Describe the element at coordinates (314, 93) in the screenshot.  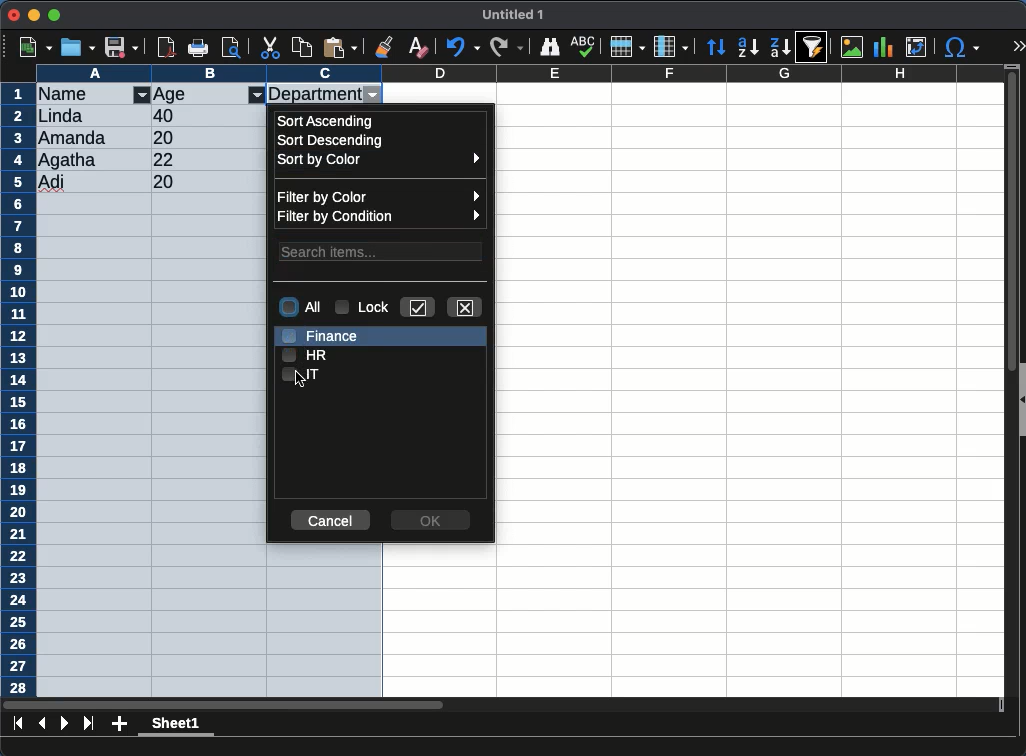
I see `department ` at that location.